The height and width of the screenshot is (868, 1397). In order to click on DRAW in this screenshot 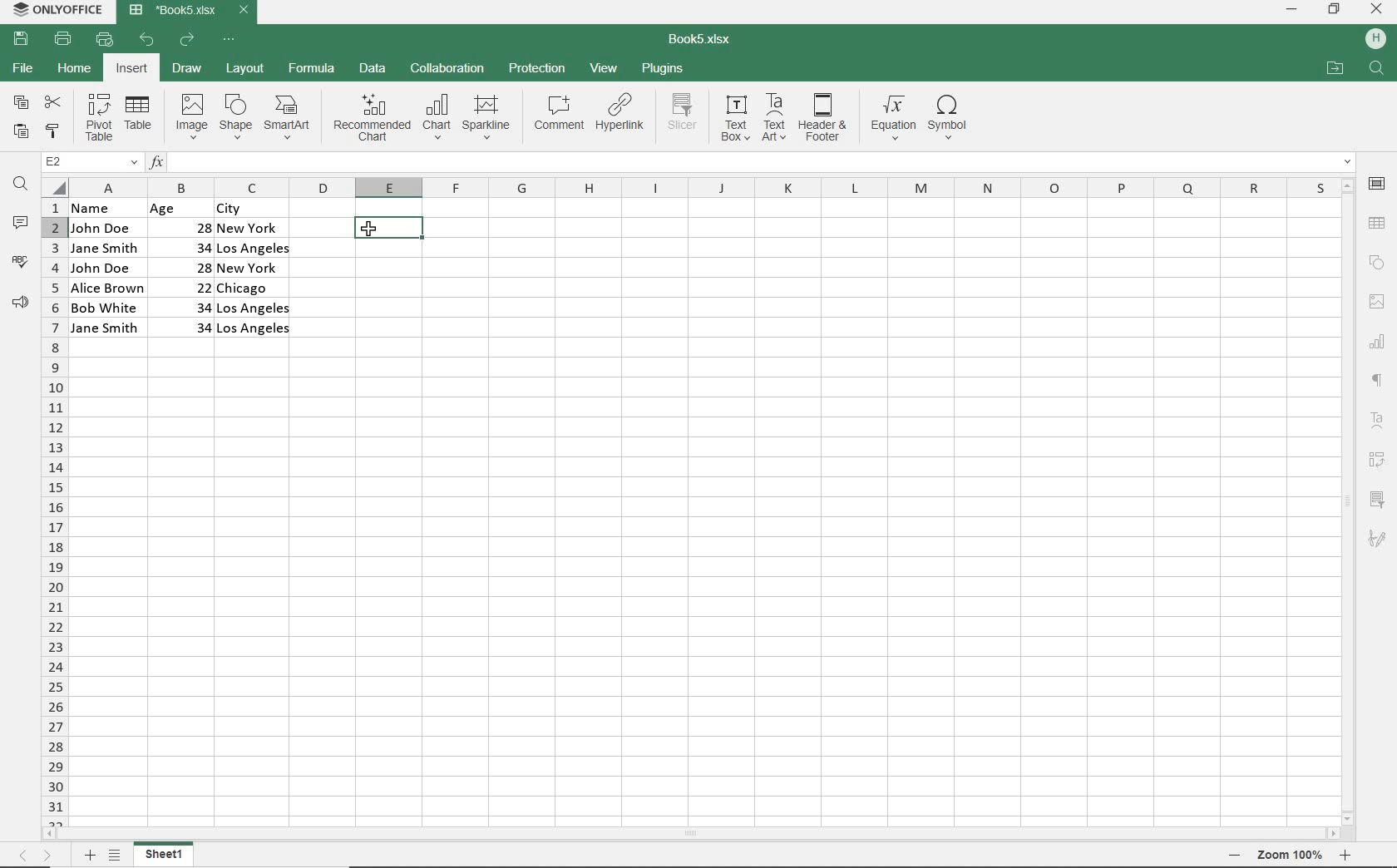, I will do `click(186, 69)`.